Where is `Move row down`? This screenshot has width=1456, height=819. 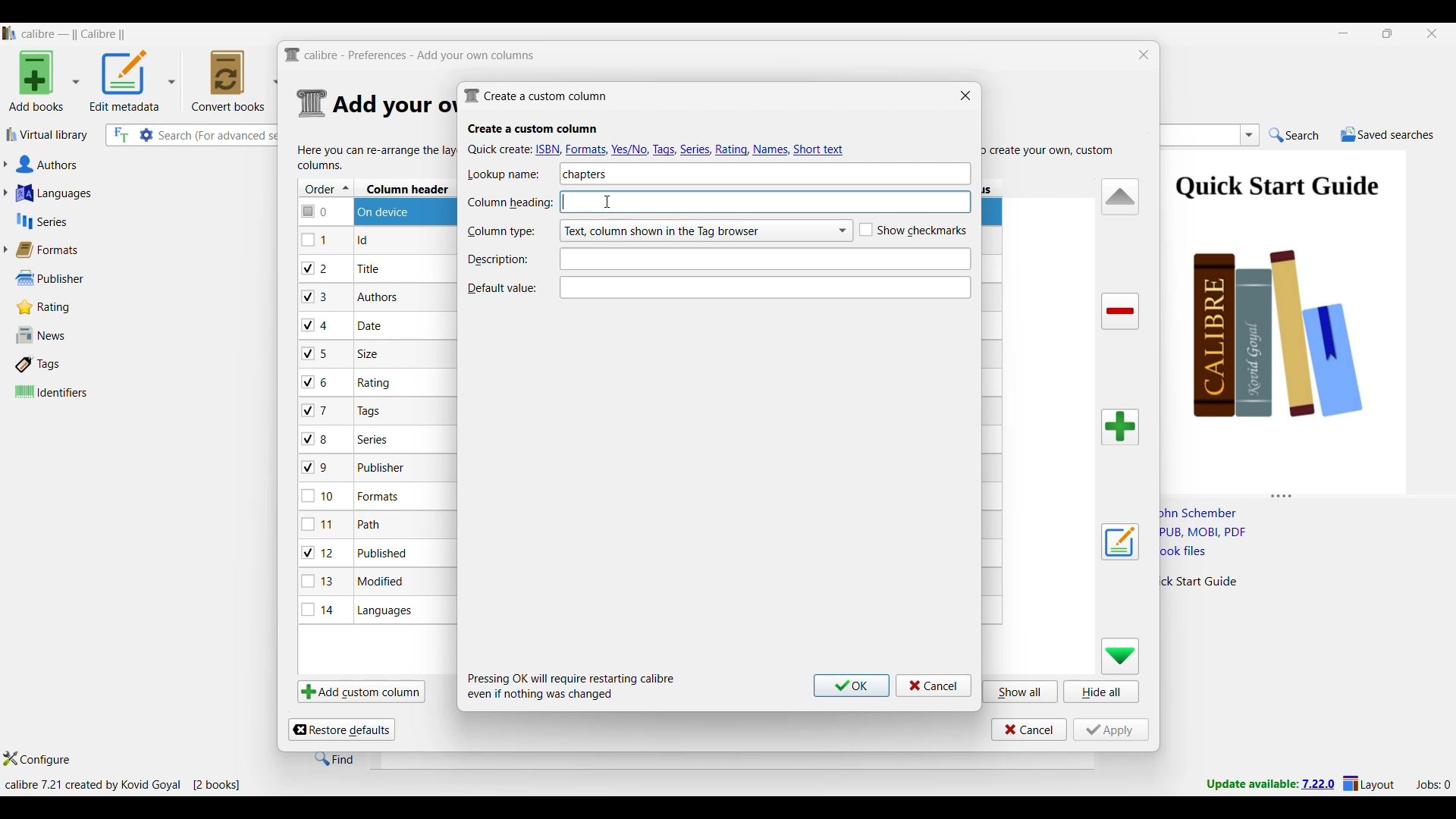
Move row down is located at coordinates (1121, 656).